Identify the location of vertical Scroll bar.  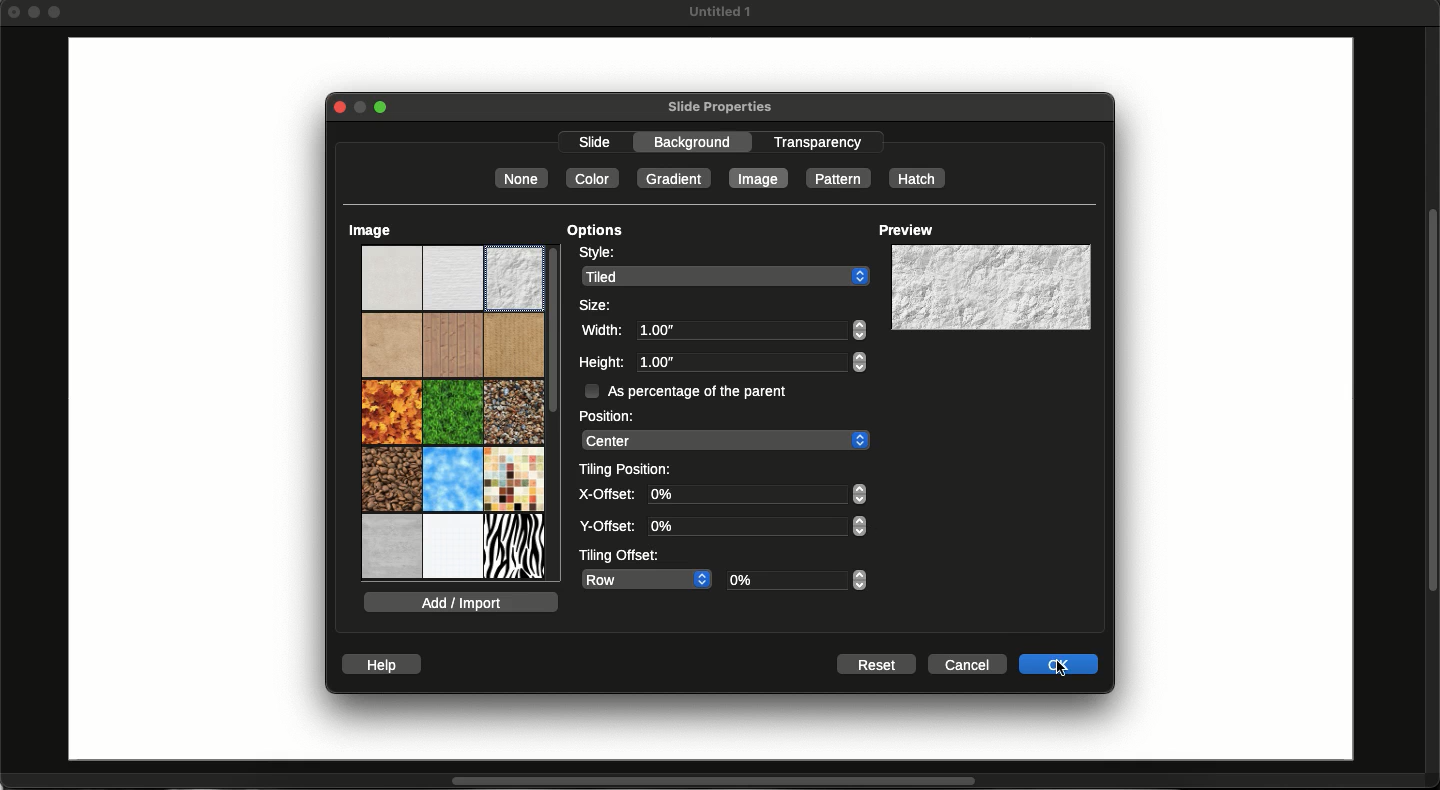
(554, 368).